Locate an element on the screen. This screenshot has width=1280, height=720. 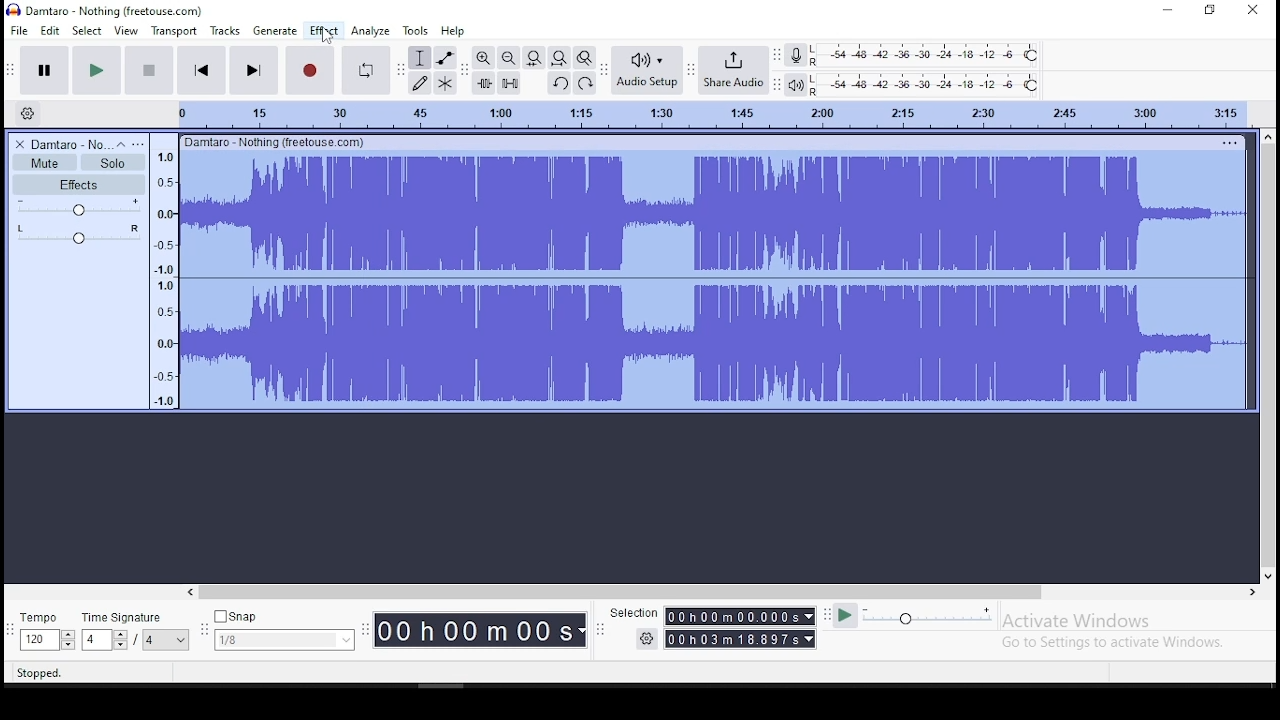
trim audio outside selection is located at coordinates (484, 83).